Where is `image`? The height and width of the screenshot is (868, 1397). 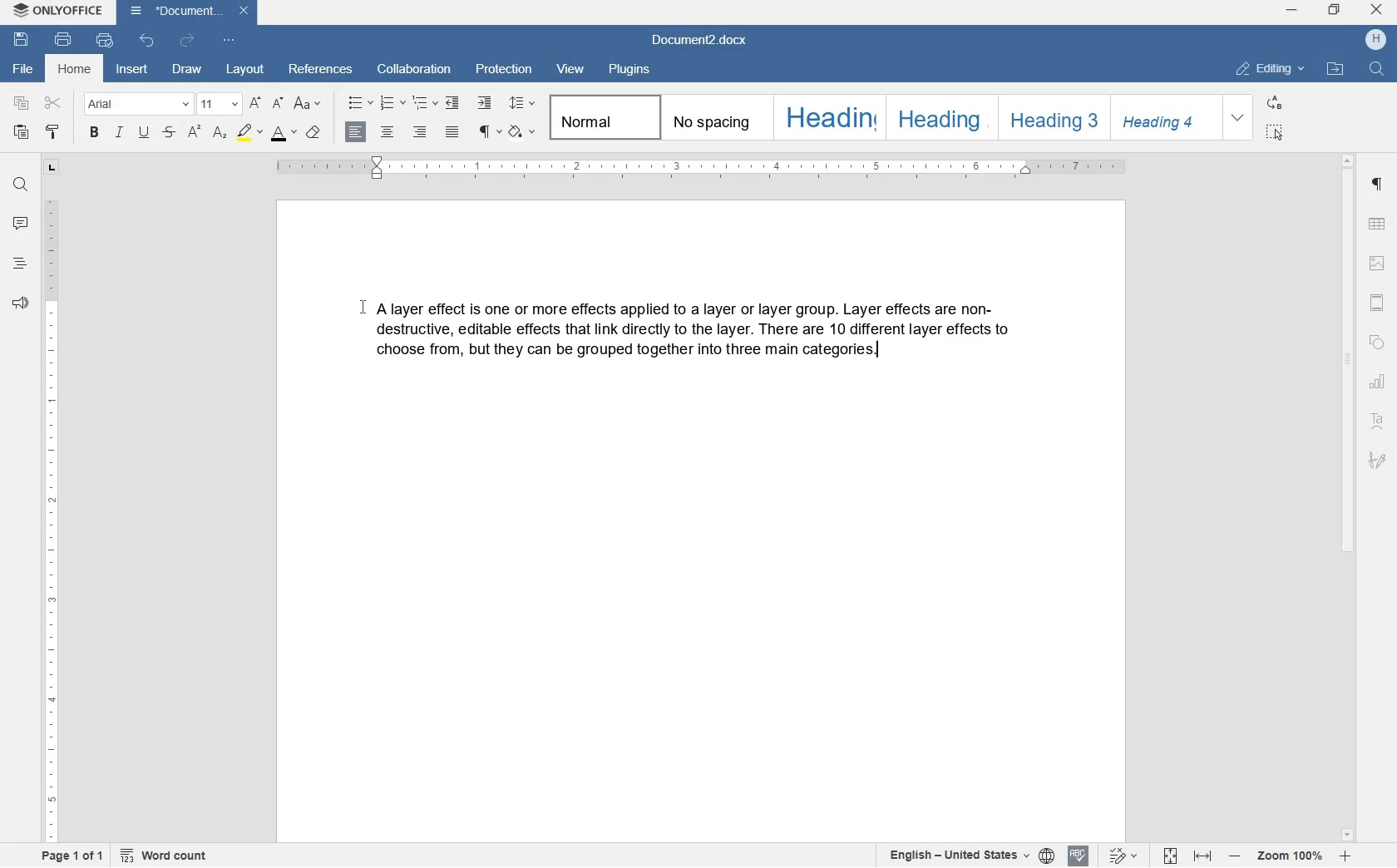
image is located at coordinates (1377, 263).